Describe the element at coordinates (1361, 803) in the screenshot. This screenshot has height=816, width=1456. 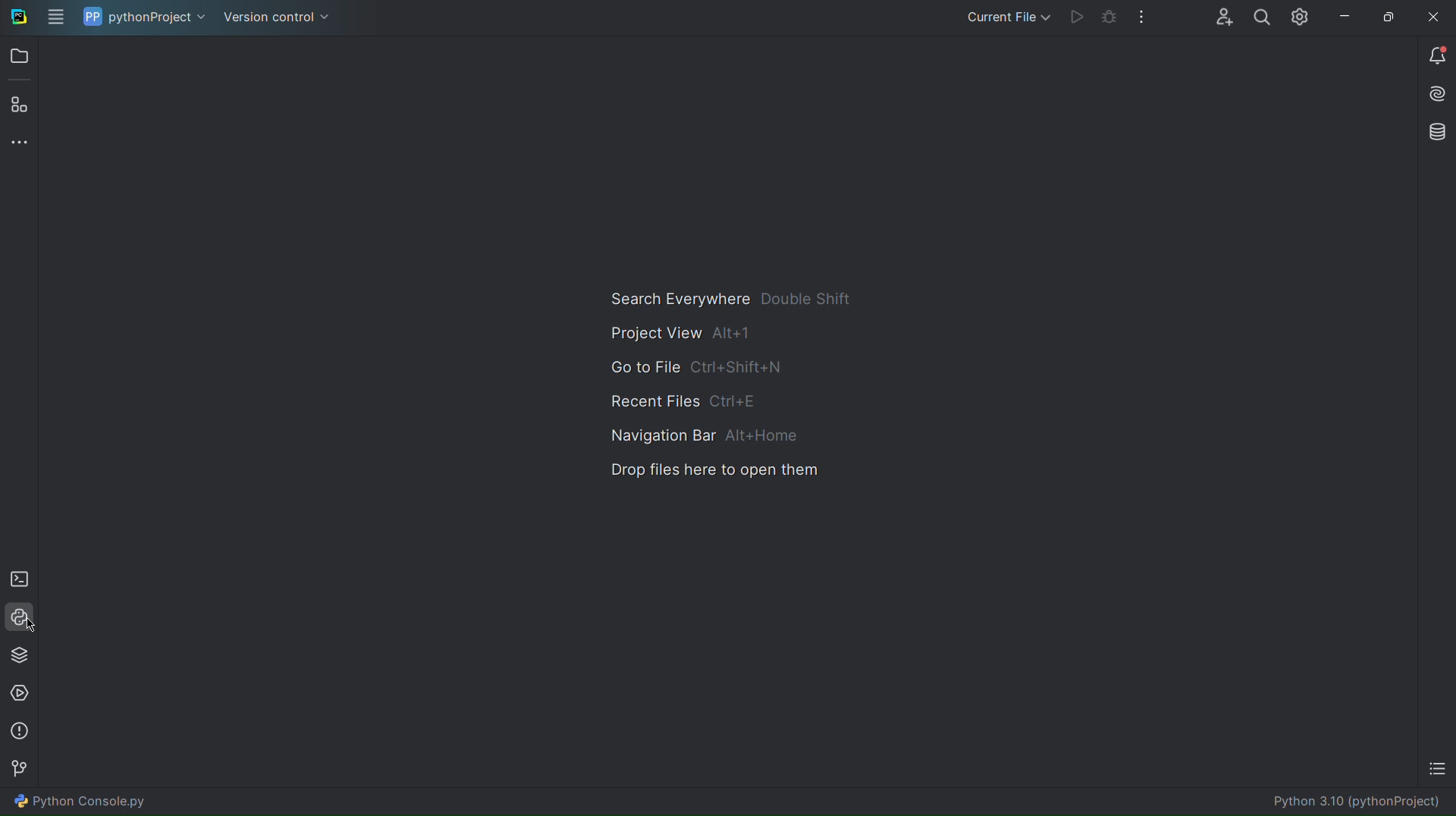
I see `Python 3.10 (pythonProject)` at that location.